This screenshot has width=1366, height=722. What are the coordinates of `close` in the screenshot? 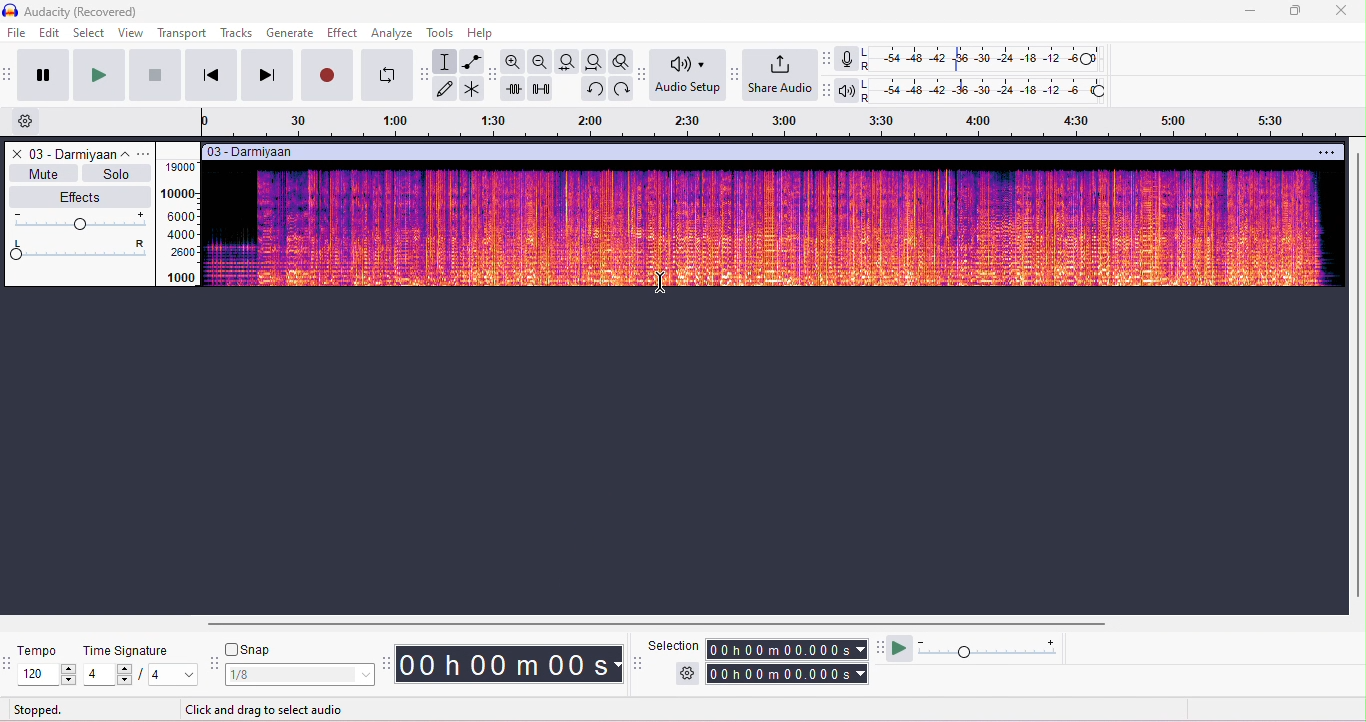 It's located at (1342, 11).